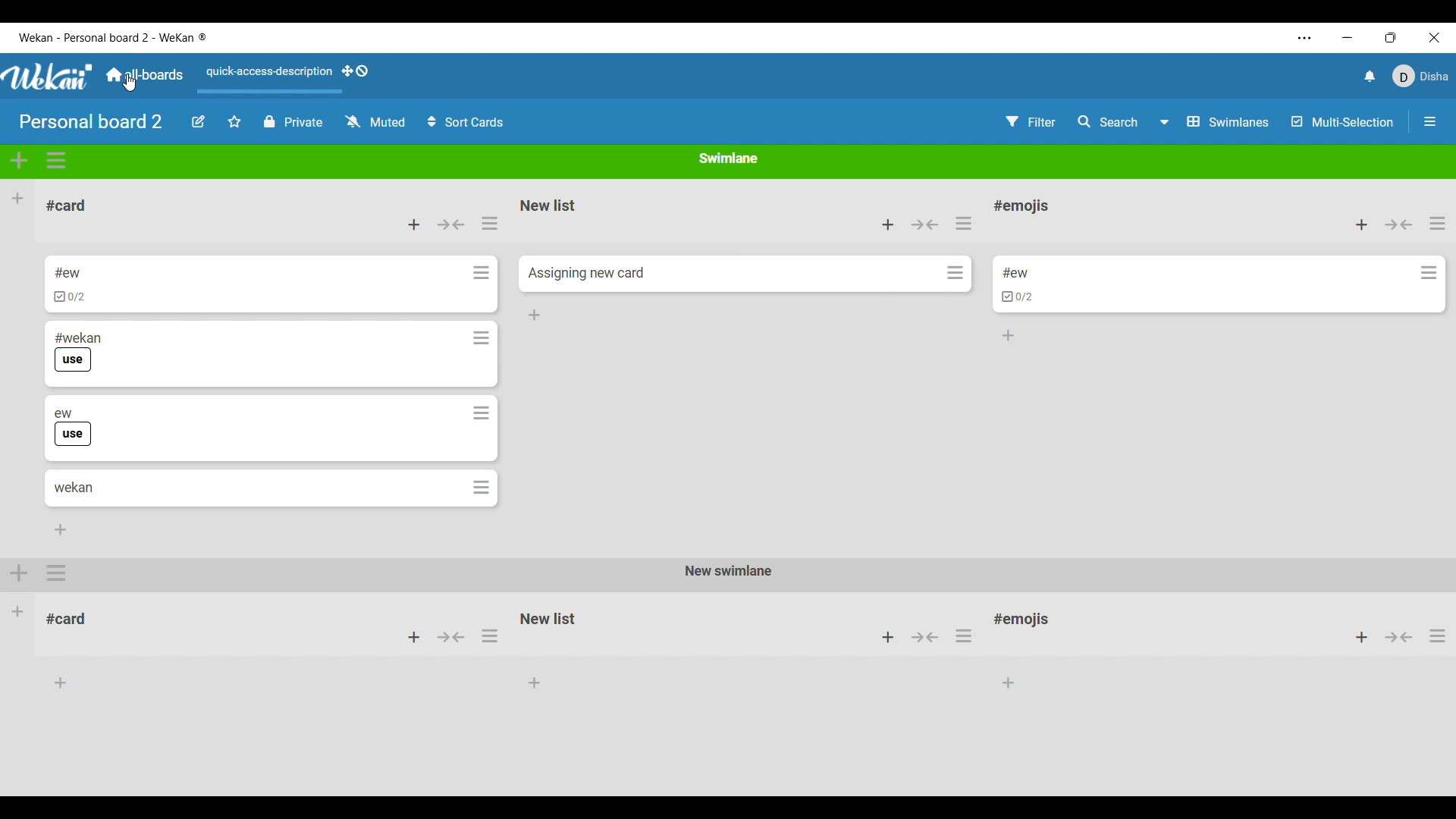  I want to click on Add swimlane, so click(20, 161).